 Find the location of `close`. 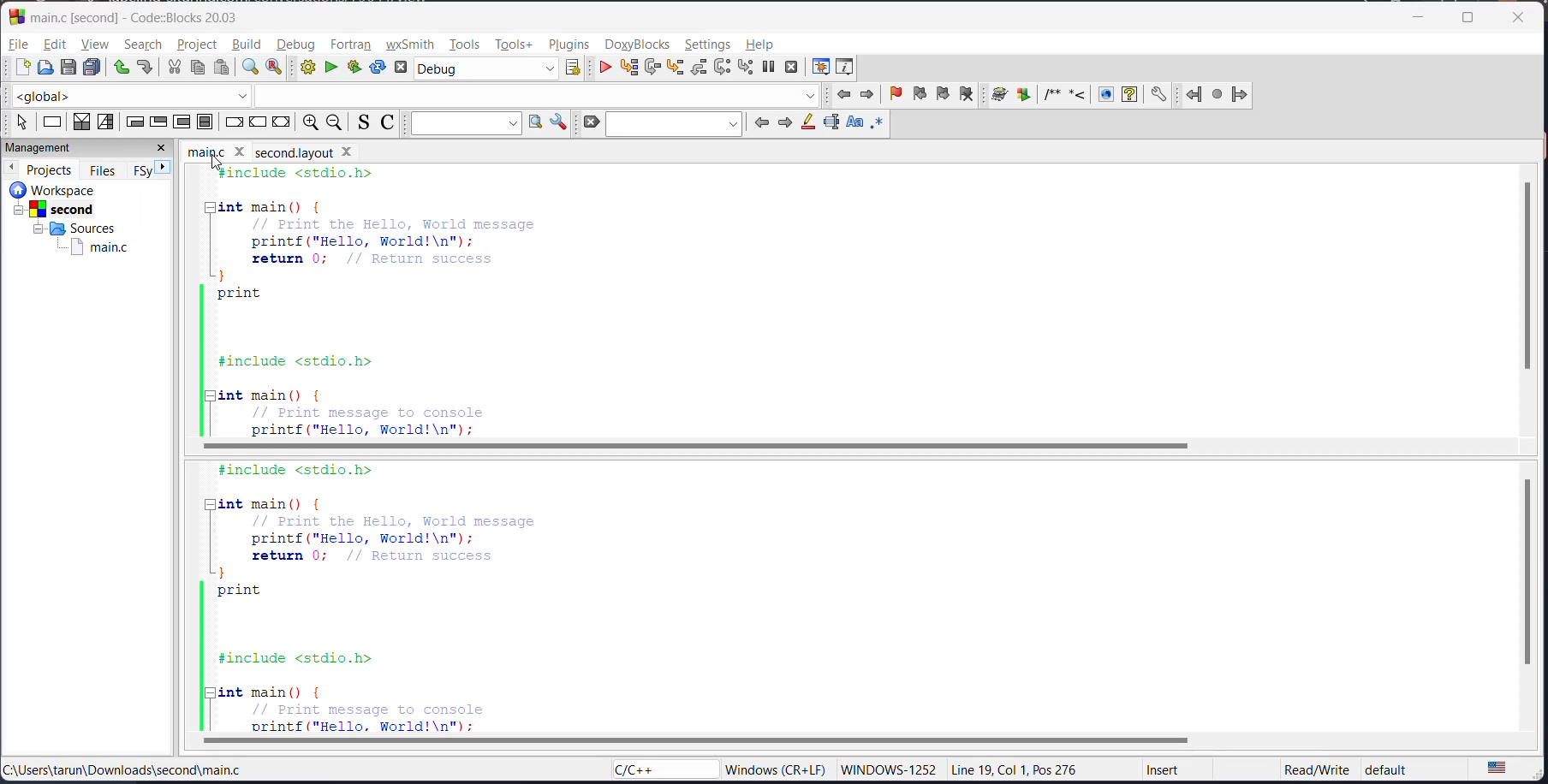

close is located at coordinates (1521, 17).